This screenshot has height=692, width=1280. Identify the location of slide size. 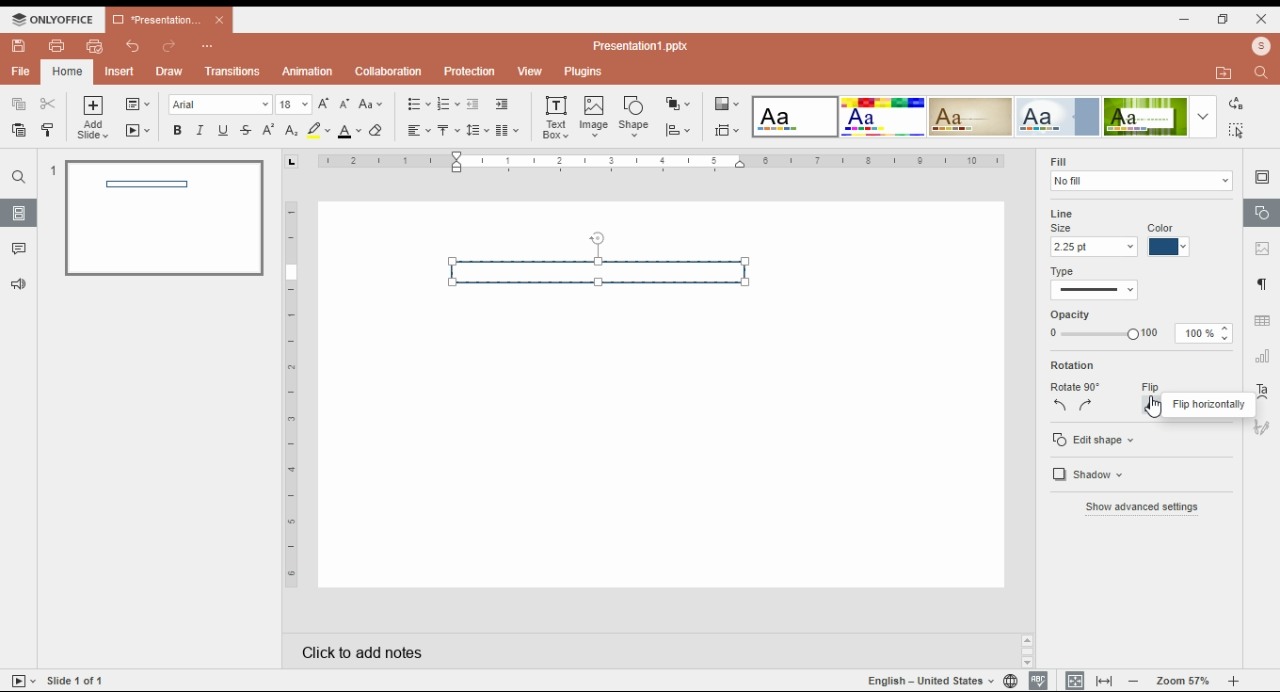
(727, 131).